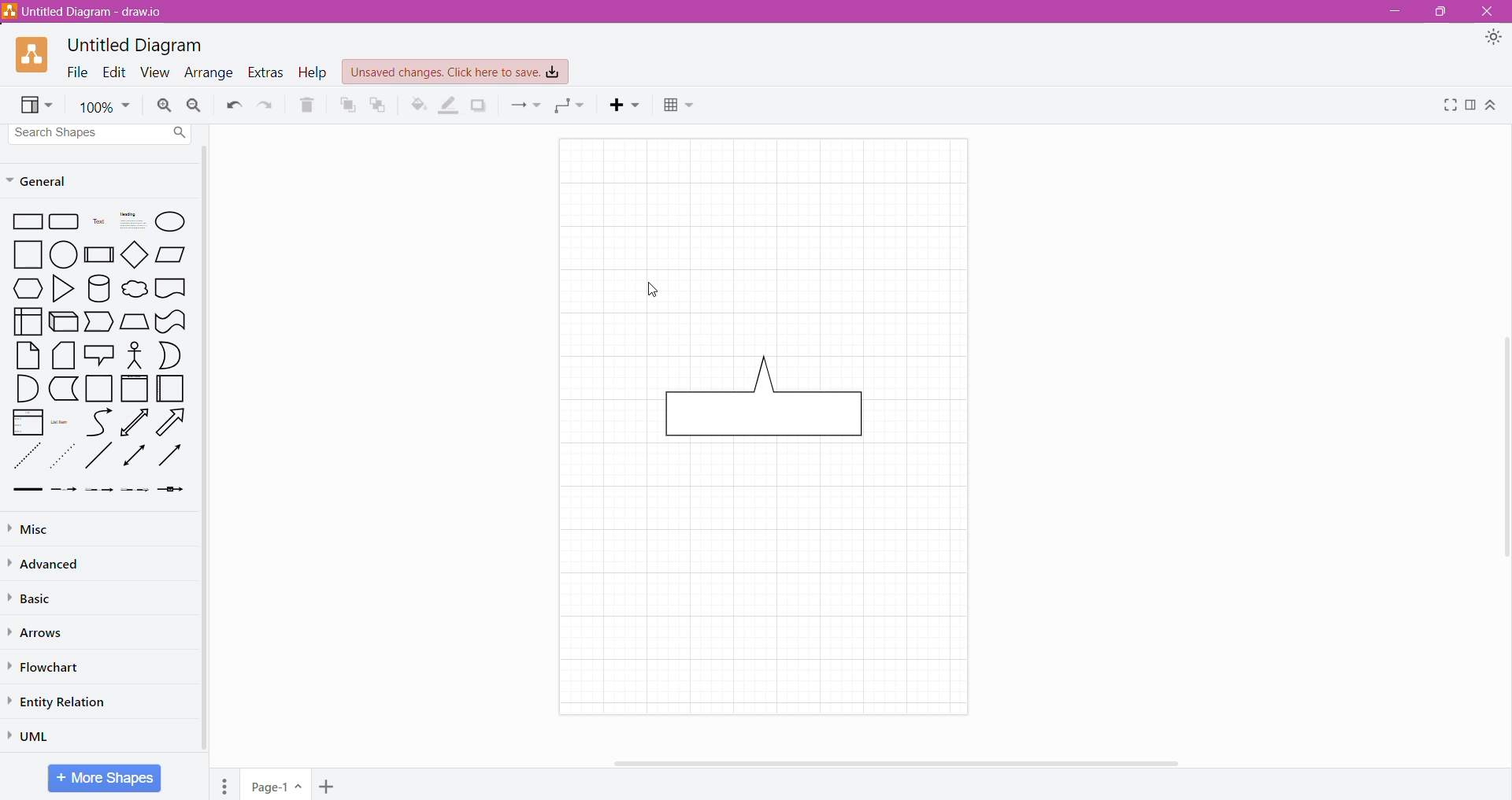  Describe the element at coordinates (65, 223) in the screenshot. I see `grid rectangle` at that location.